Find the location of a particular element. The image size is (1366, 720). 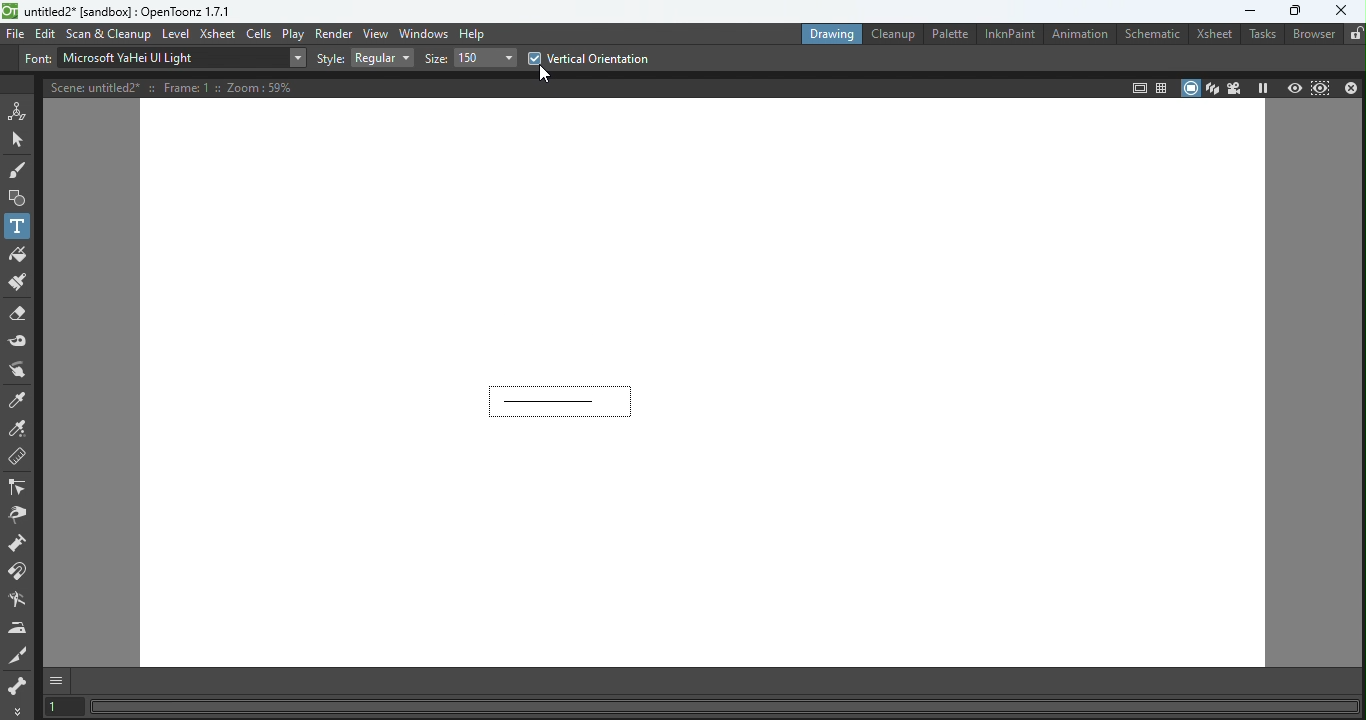

File is located at coordinates (15, 34).